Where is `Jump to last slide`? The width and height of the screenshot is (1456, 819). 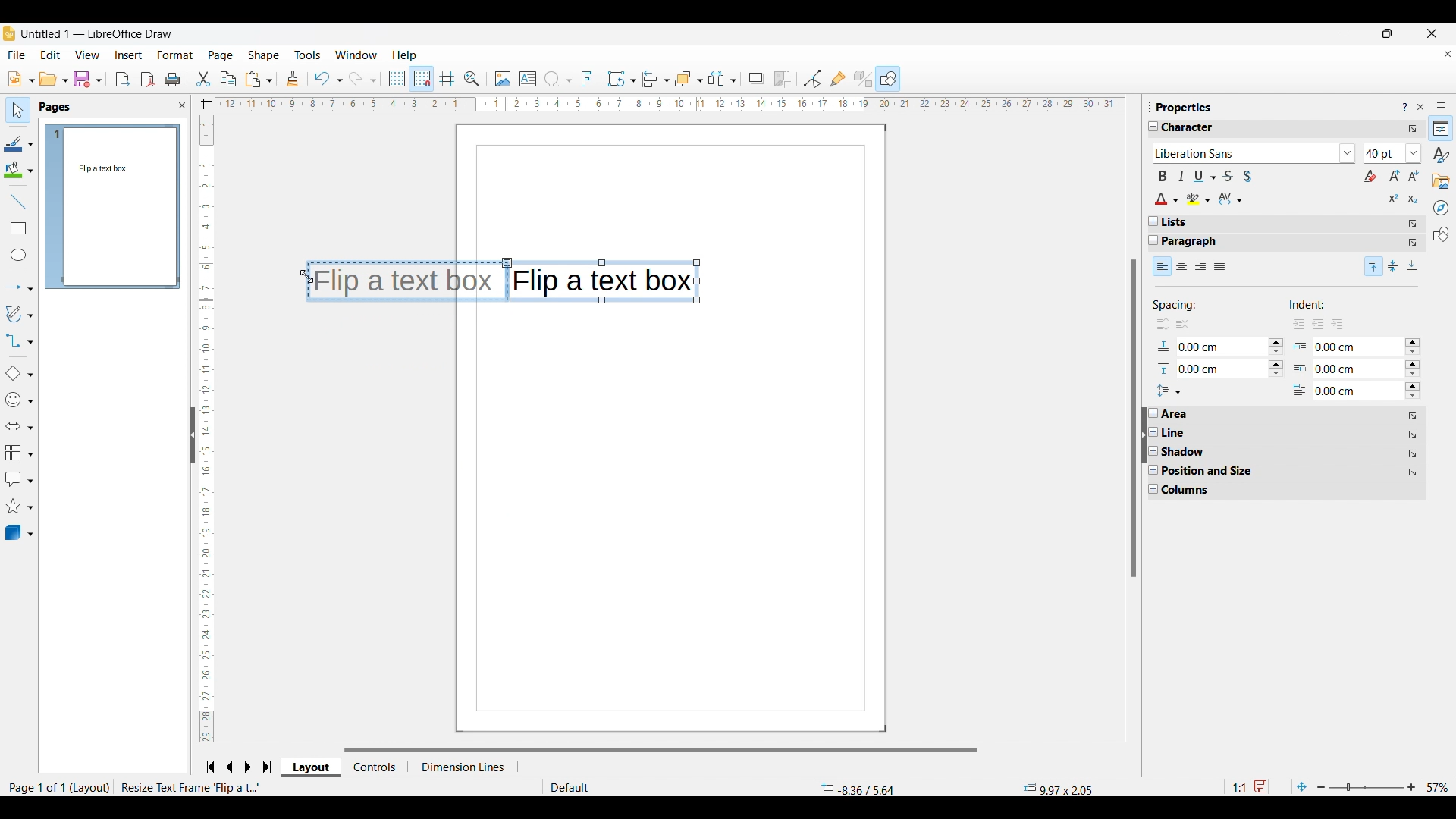 Jump to last slide is located at coordinates (268, 767).